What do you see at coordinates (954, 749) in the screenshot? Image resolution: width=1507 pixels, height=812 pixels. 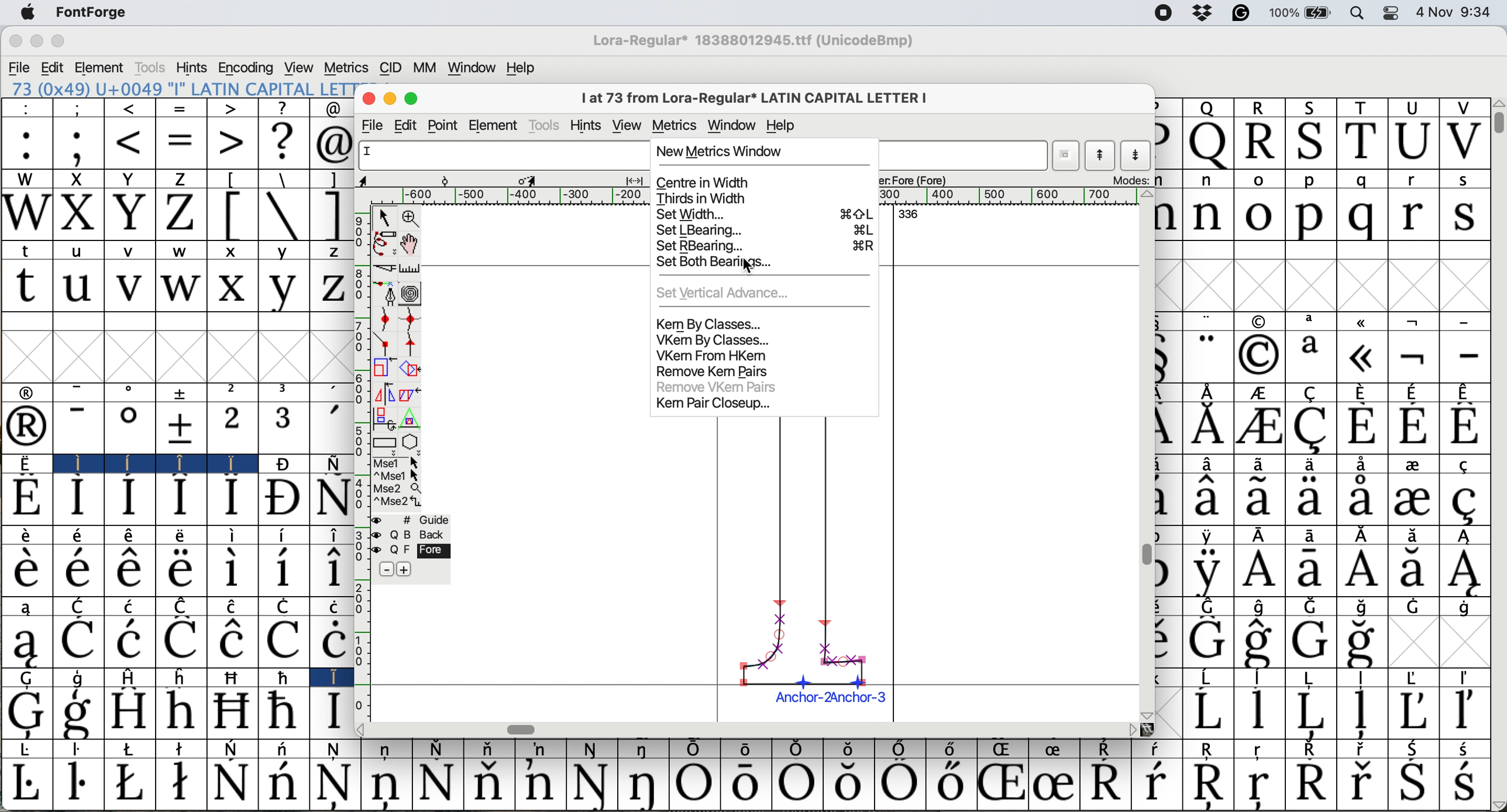 I see `Symbol` at bounding box center [954, 749].